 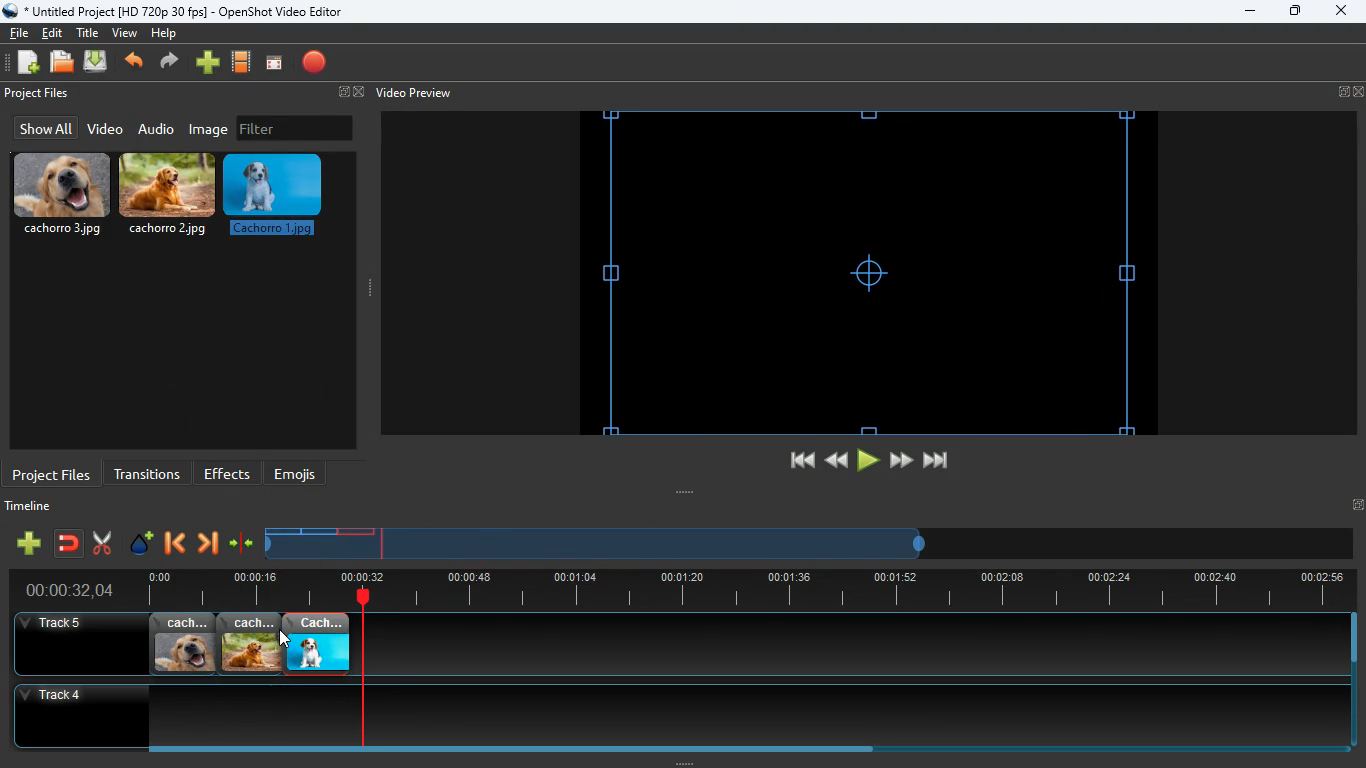 I want to click on Vertical slide bar, so click(x=1354, y=680).